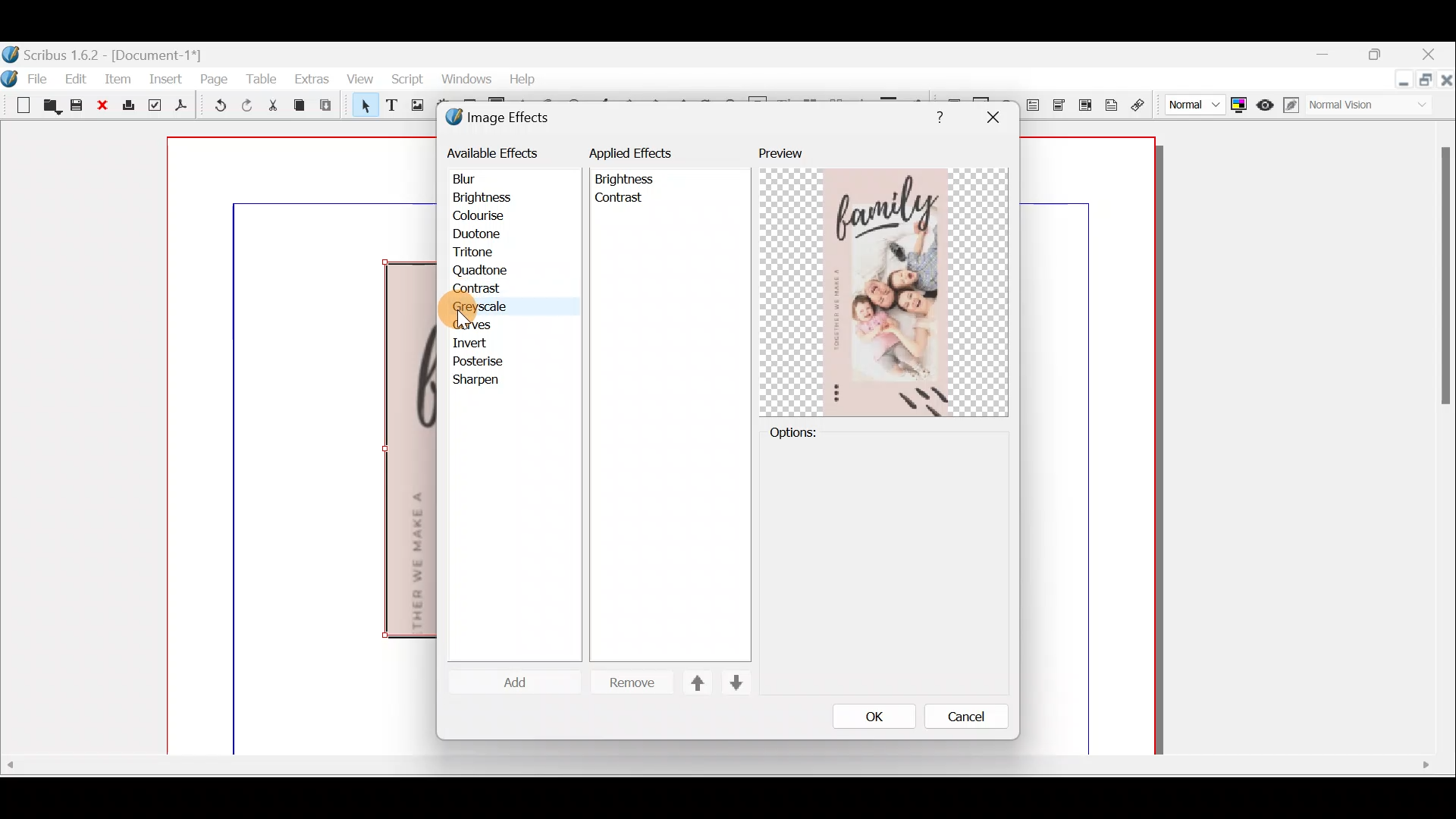  Describe the element at coordinates (1398, 80) in the screenshot. I see `Minimise` at that location.